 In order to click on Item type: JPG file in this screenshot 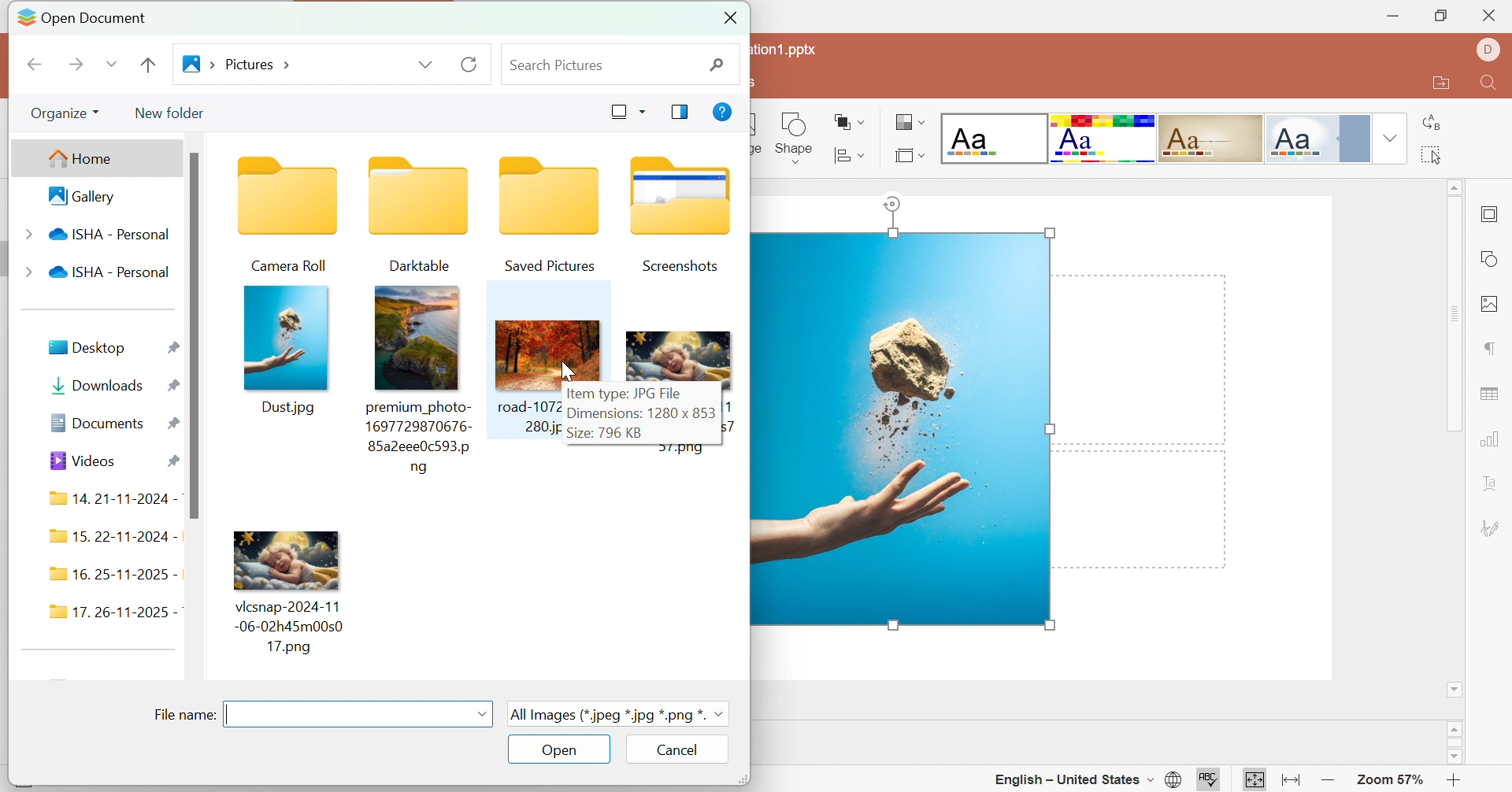, I will do `click(628, 393)`.